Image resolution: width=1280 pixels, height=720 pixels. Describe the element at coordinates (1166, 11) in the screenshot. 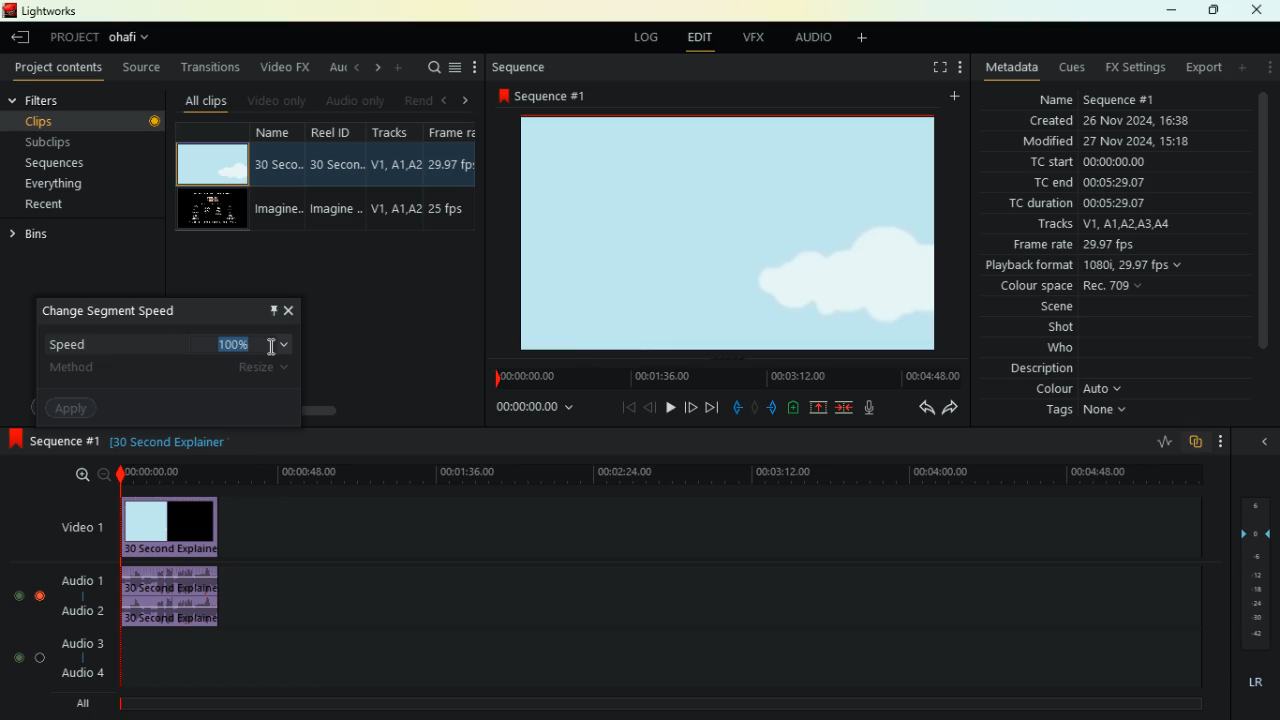

I see `minimize` at that location.